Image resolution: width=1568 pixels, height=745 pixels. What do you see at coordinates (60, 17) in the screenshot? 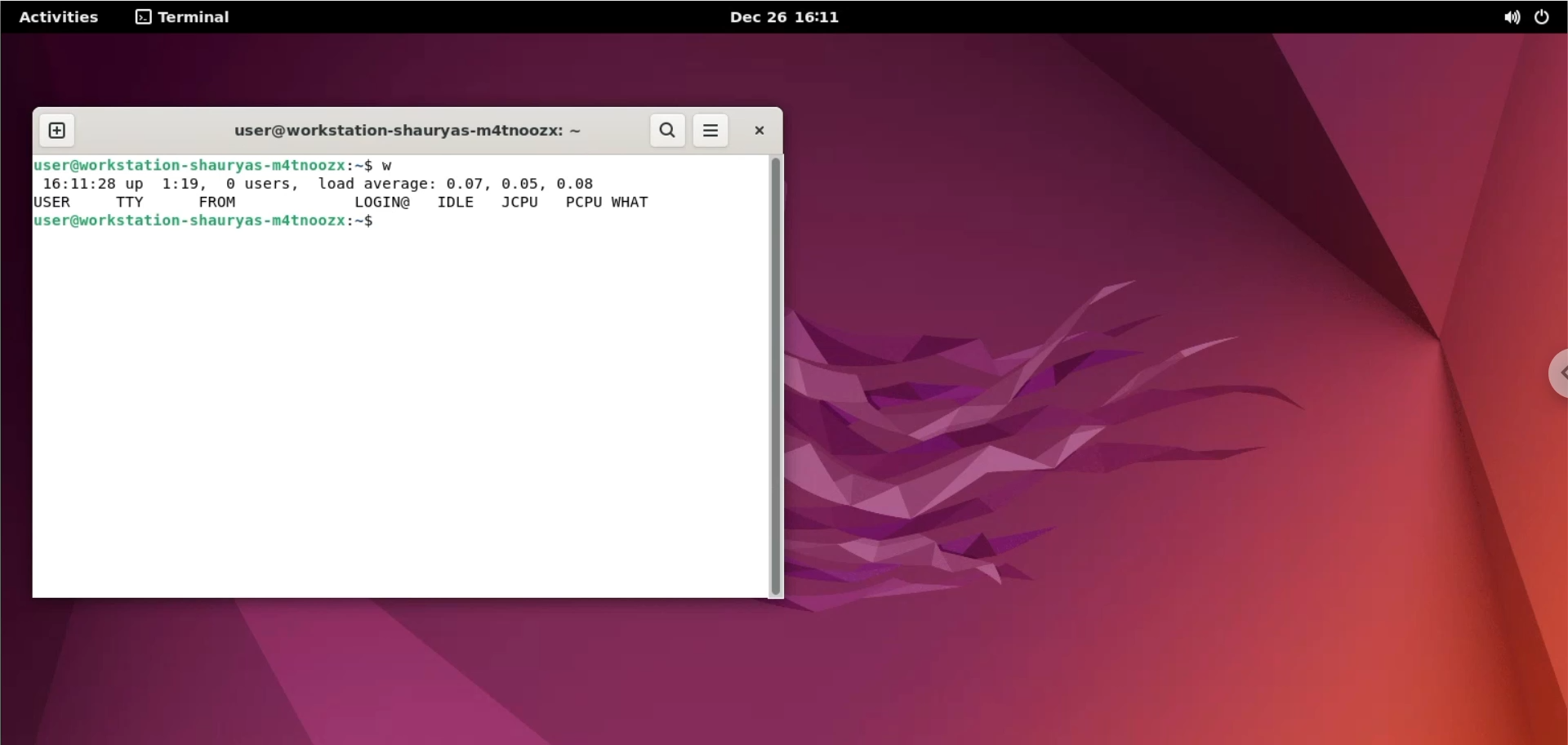
I see `Activities` at bounding box center [60, 17].